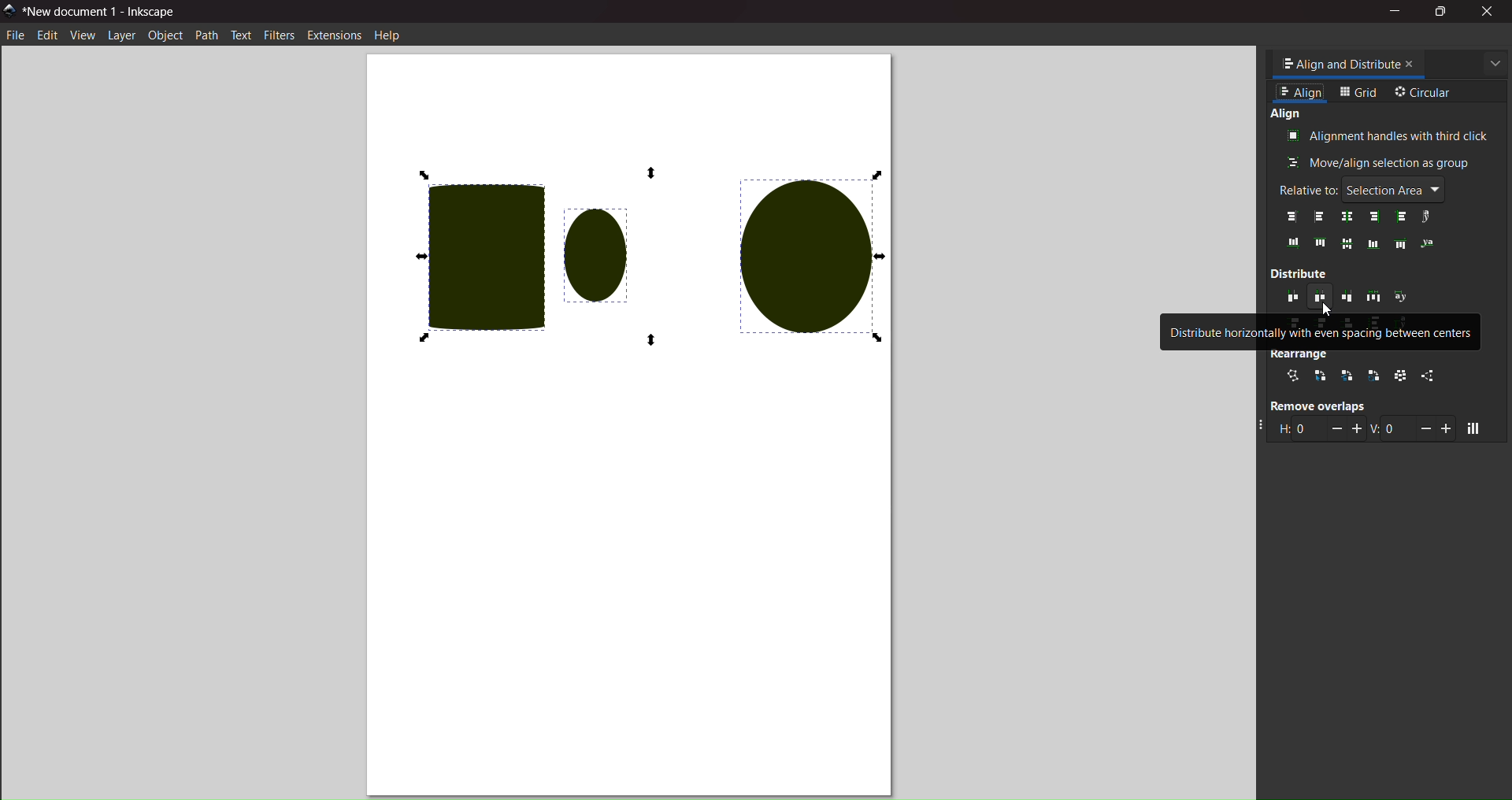 This screenshot has height=800, width=1512. I want to click on file, so click(17, 36).